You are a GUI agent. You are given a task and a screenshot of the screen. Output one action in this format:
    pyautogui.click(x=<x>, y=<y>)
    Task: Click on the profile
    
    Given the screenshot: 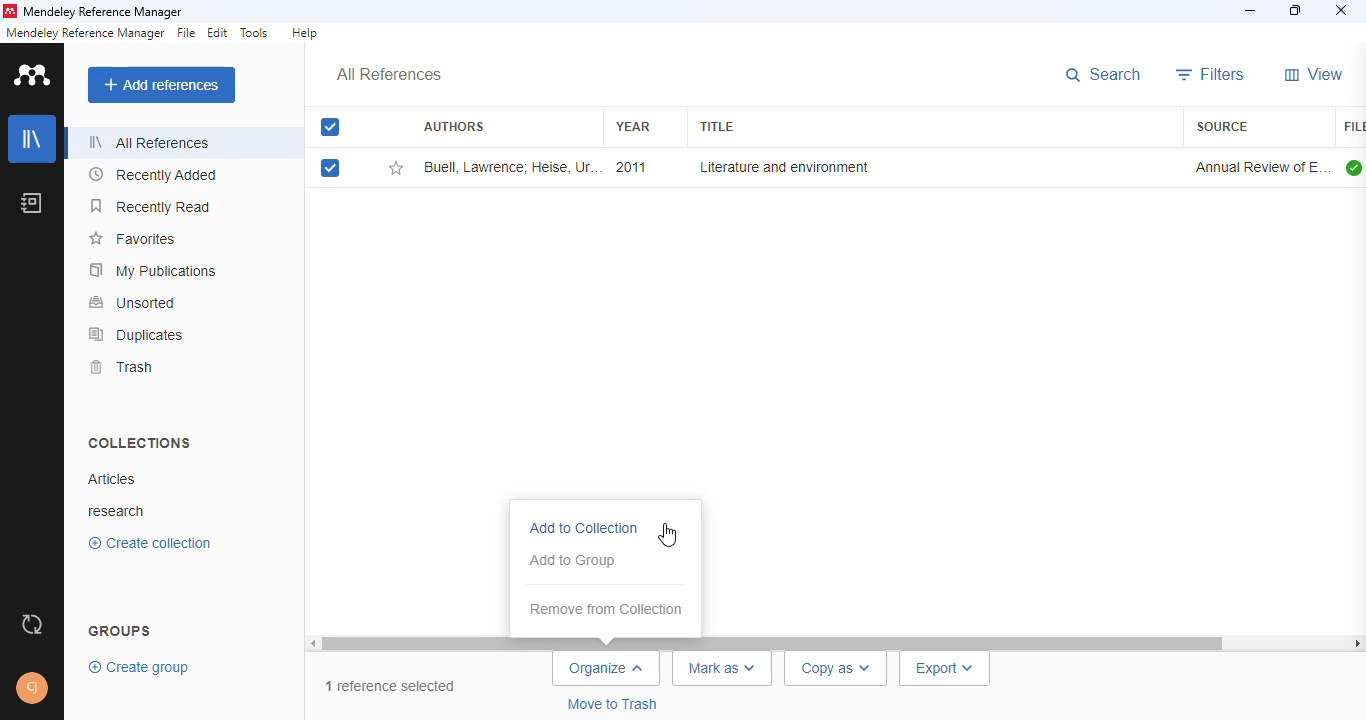 What is the action you would take?
    pyautogui.click(x=32, y=688)
    